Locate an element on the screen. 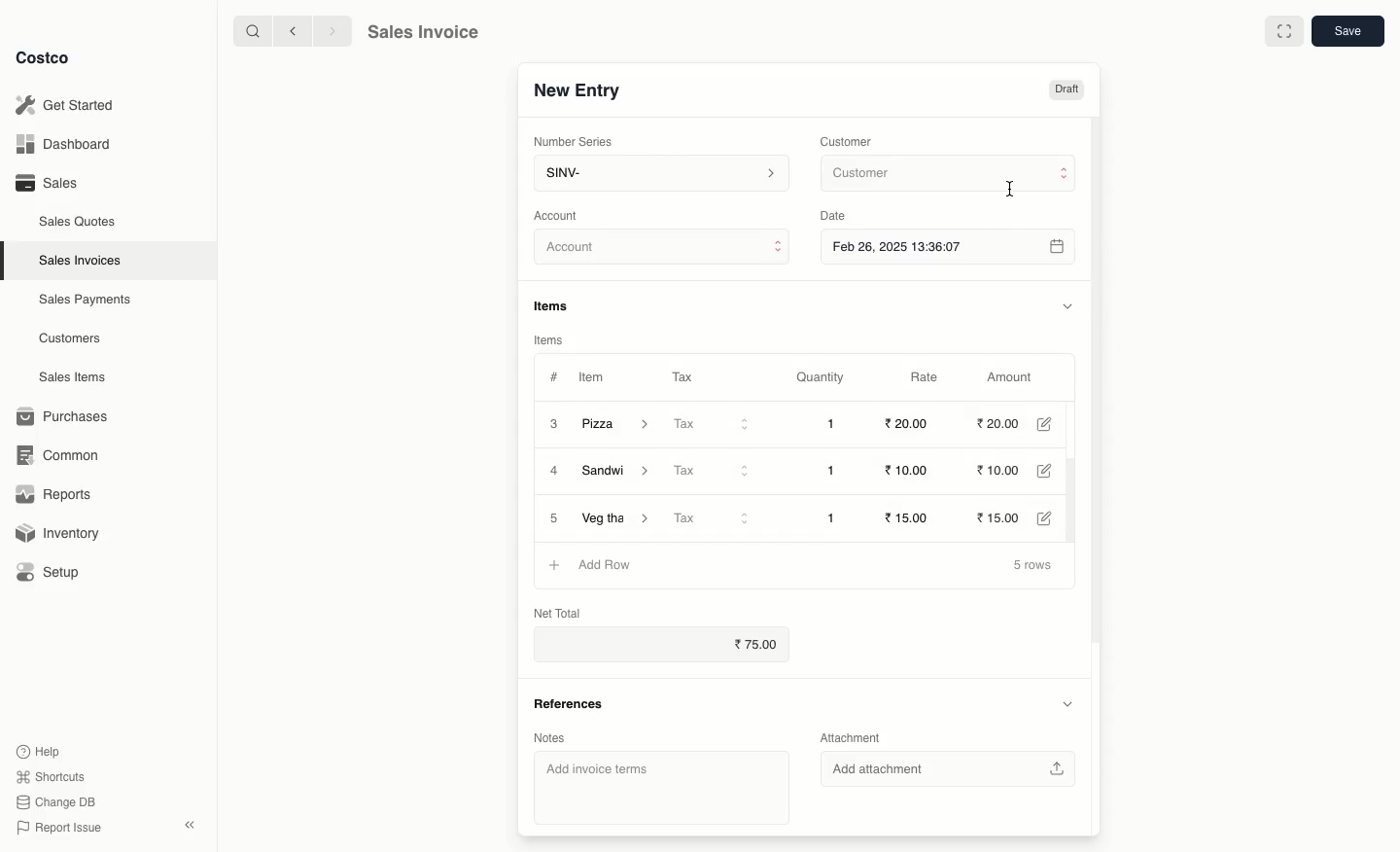  # is located at coordinates (554, 375).